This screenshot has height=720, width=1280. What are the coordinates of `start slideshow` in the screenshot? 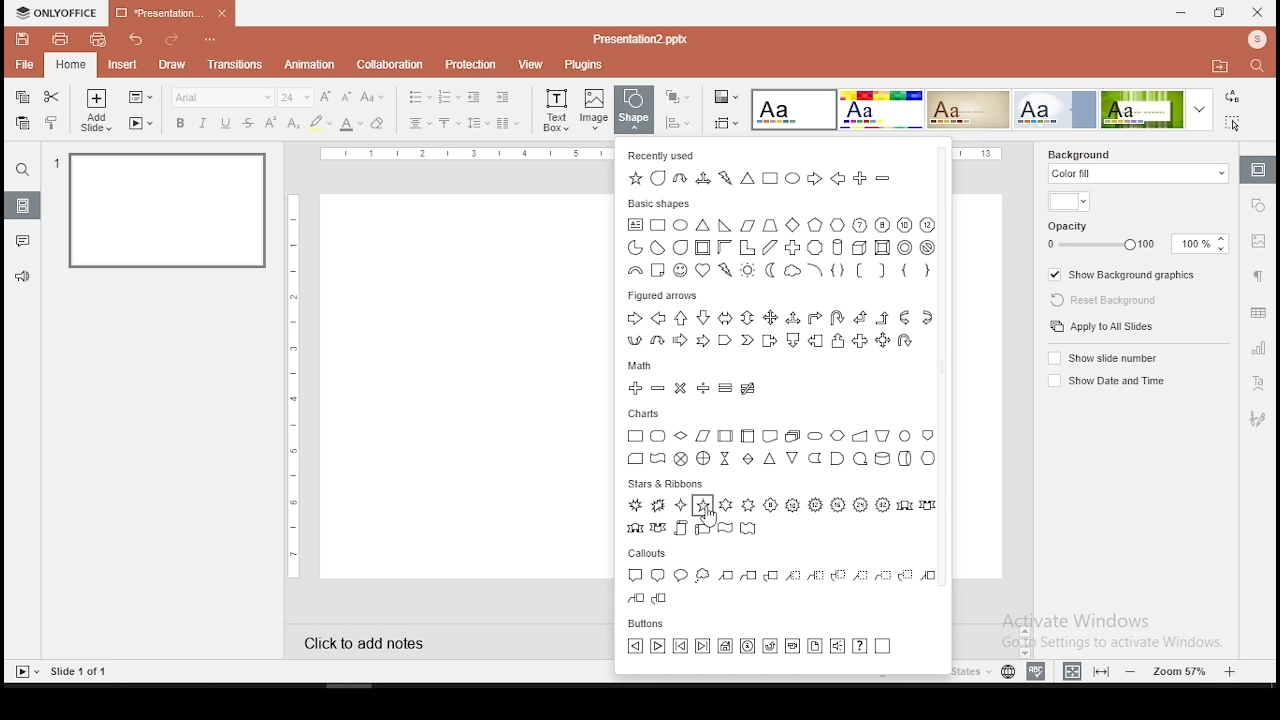 It's located at (141, 123).